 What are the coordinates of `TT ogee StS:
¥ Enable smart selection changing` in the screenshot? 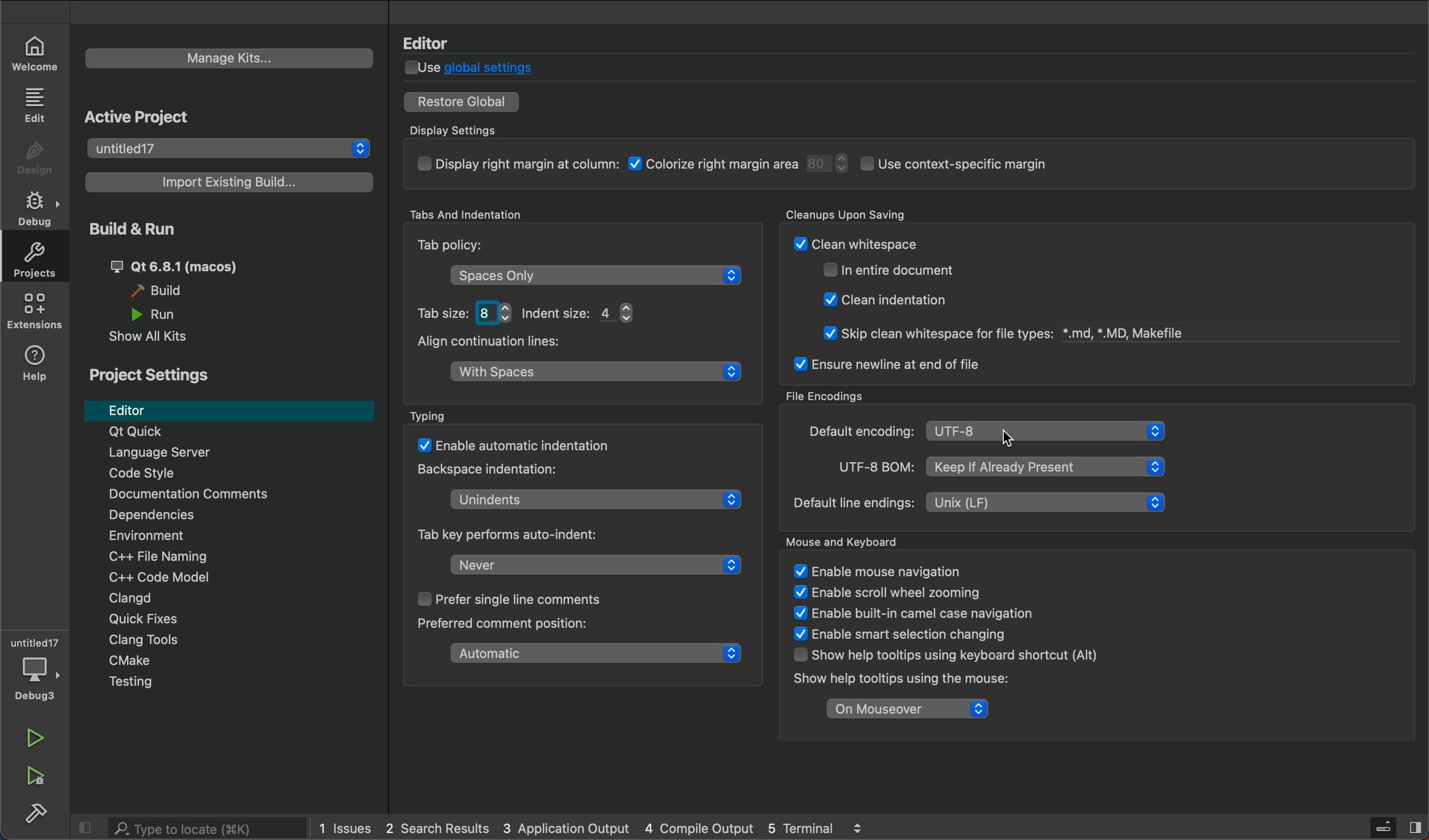 It's located at (932, 634).